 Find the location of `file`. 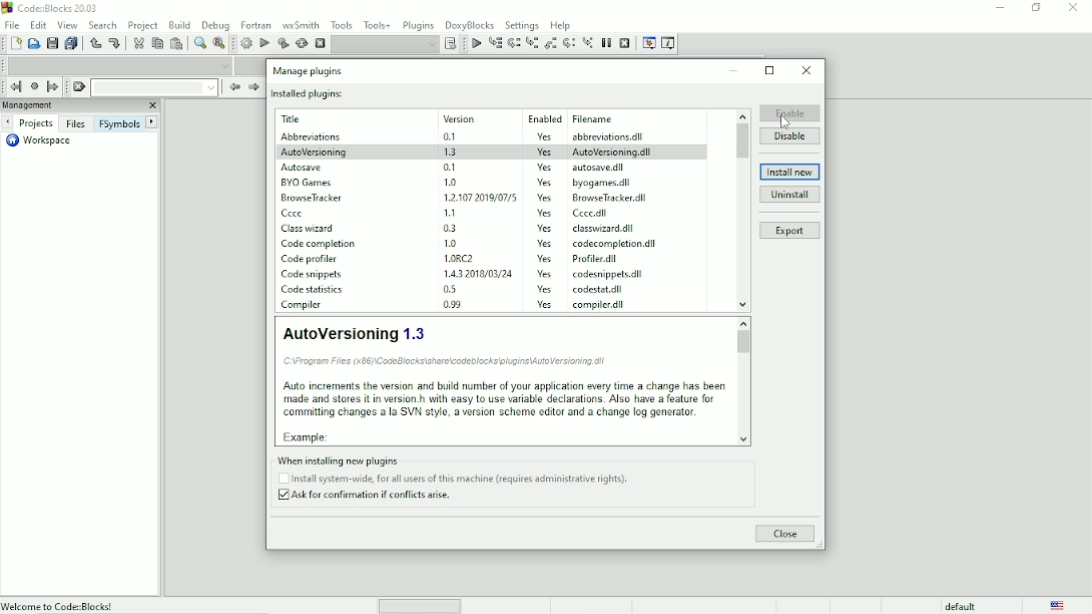

file is located at coordinates (616, 167).